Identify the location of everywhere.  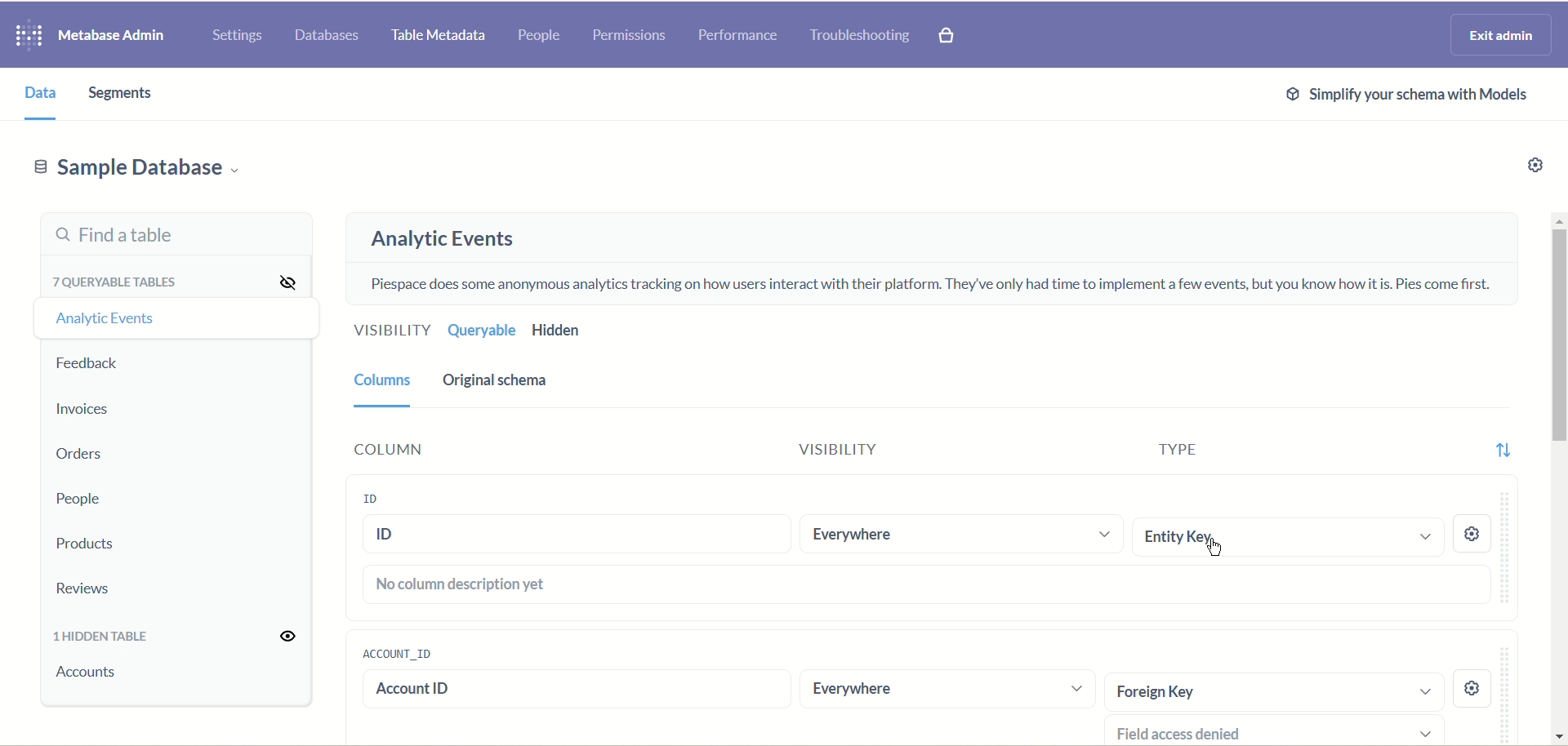
(948, 693).